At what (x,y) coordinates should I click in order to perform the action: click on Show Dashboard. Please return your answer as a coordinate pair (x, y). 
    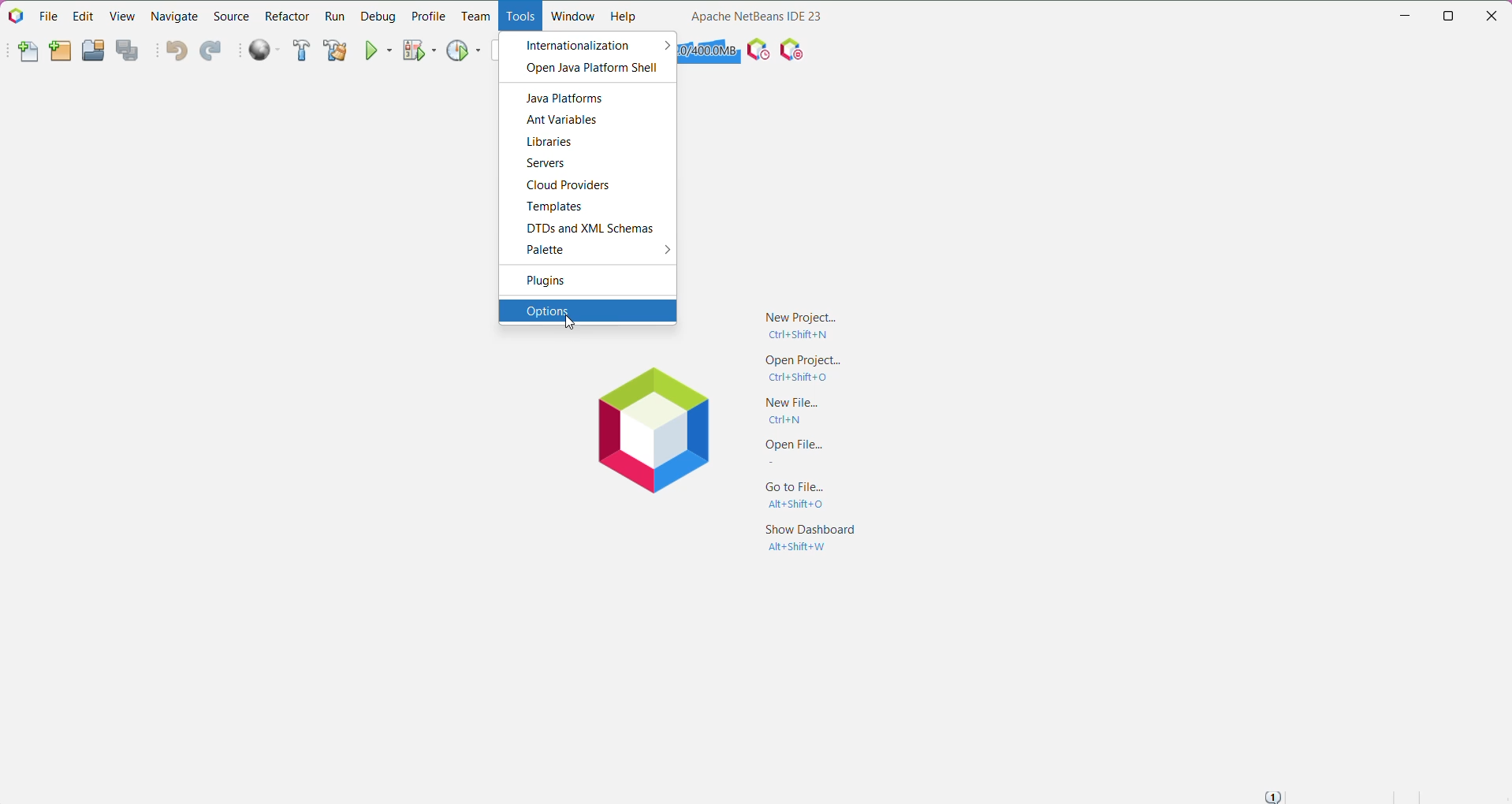
    Looking at the image, I should click on (811, 541).